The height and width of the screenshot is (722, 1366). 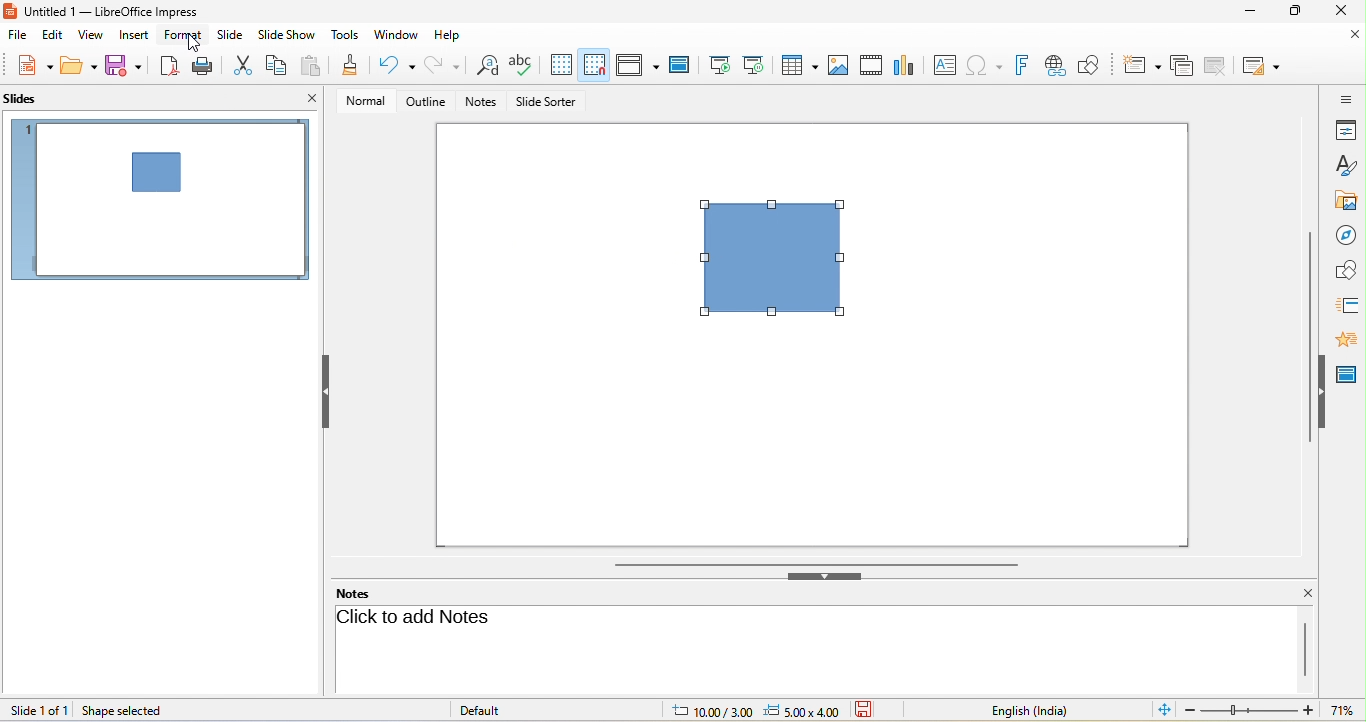 I want to click on slide show, so click(x=287, y=35).